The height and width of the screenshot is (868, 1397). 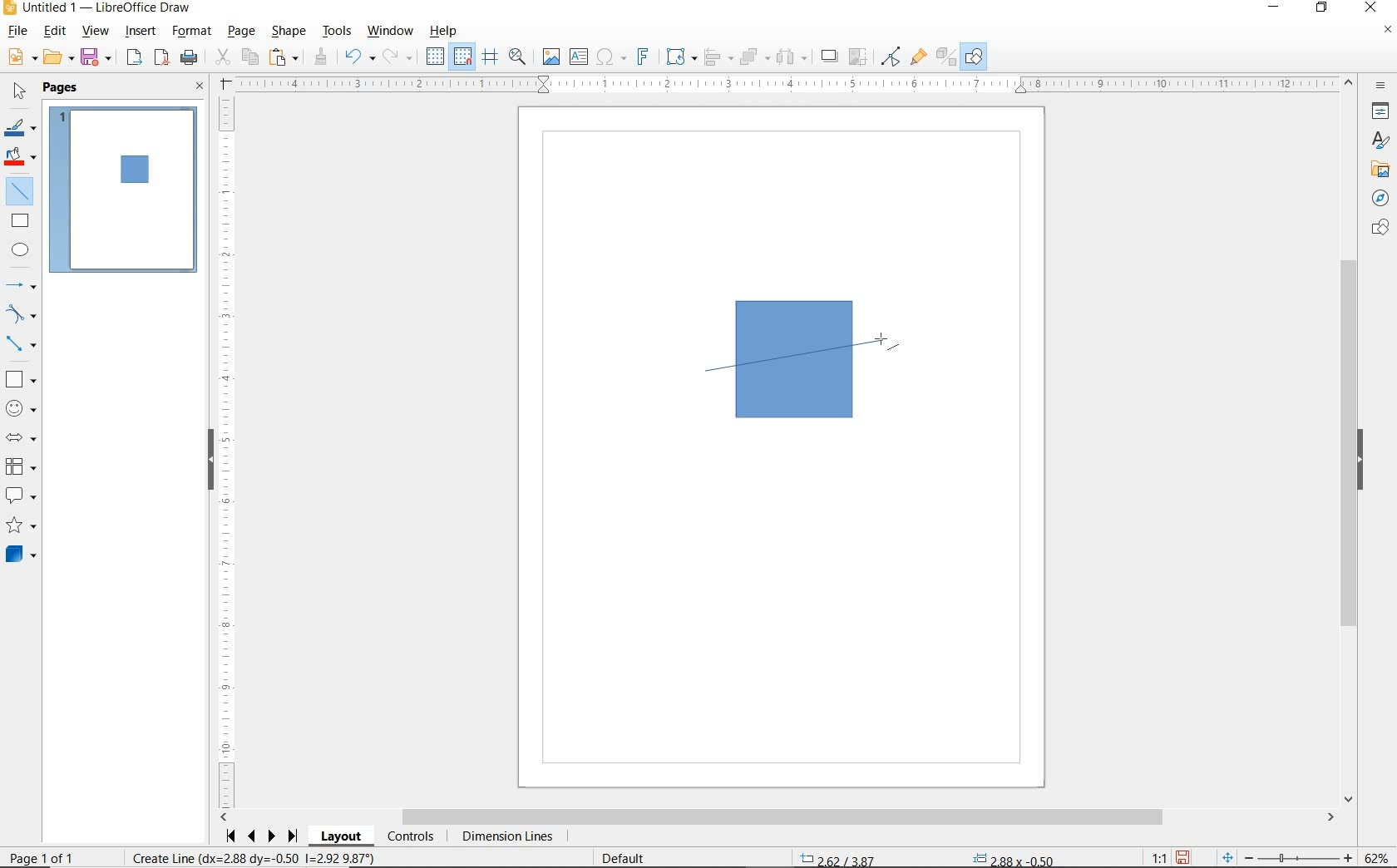 I want to click on ALIGN OBJECTS, so click(x=718, y=57).